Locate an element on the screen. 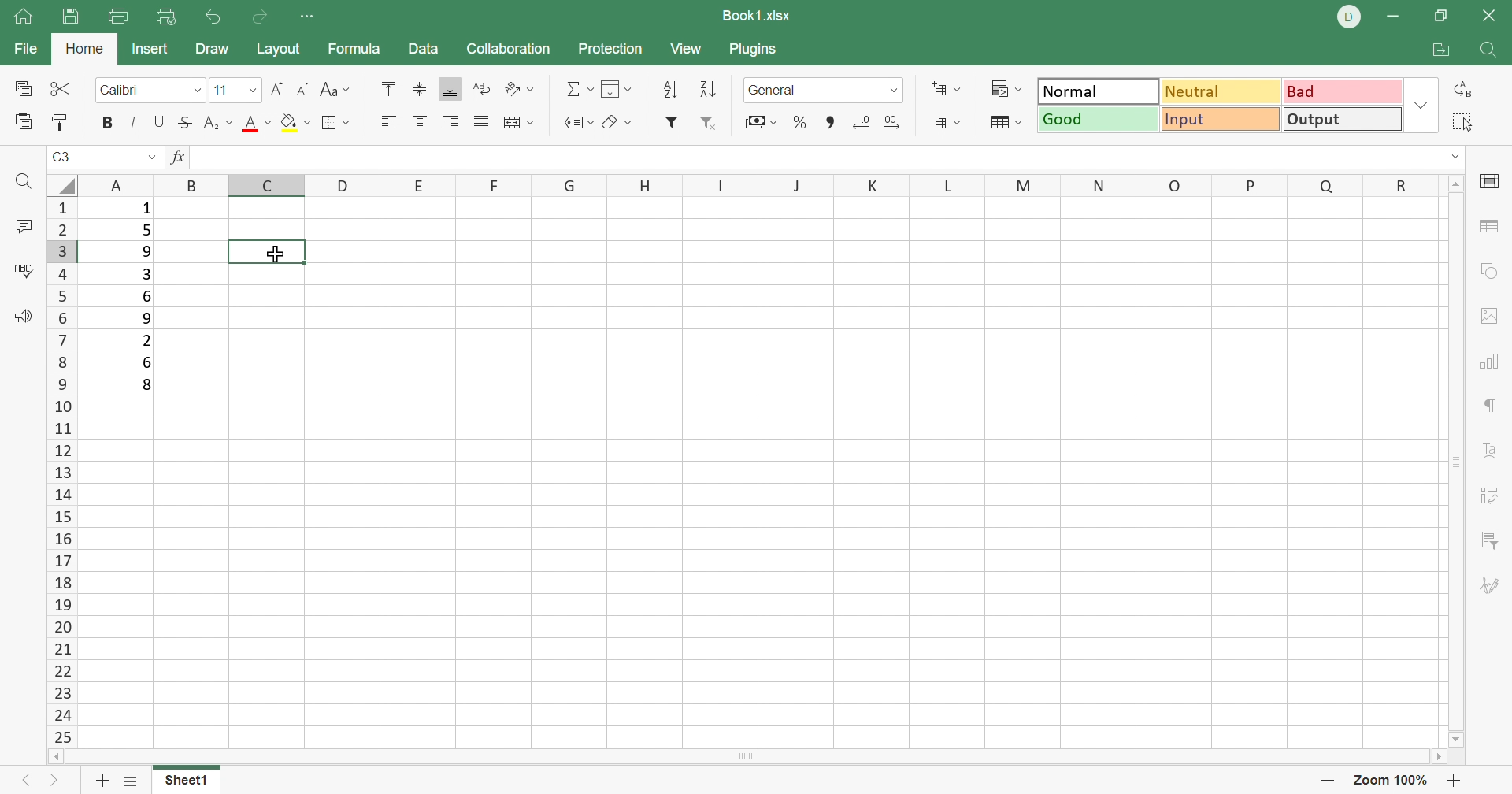 Image resolution: width=1512 pixels, height=794 pixels. Home is located at coordinates (83, 46).